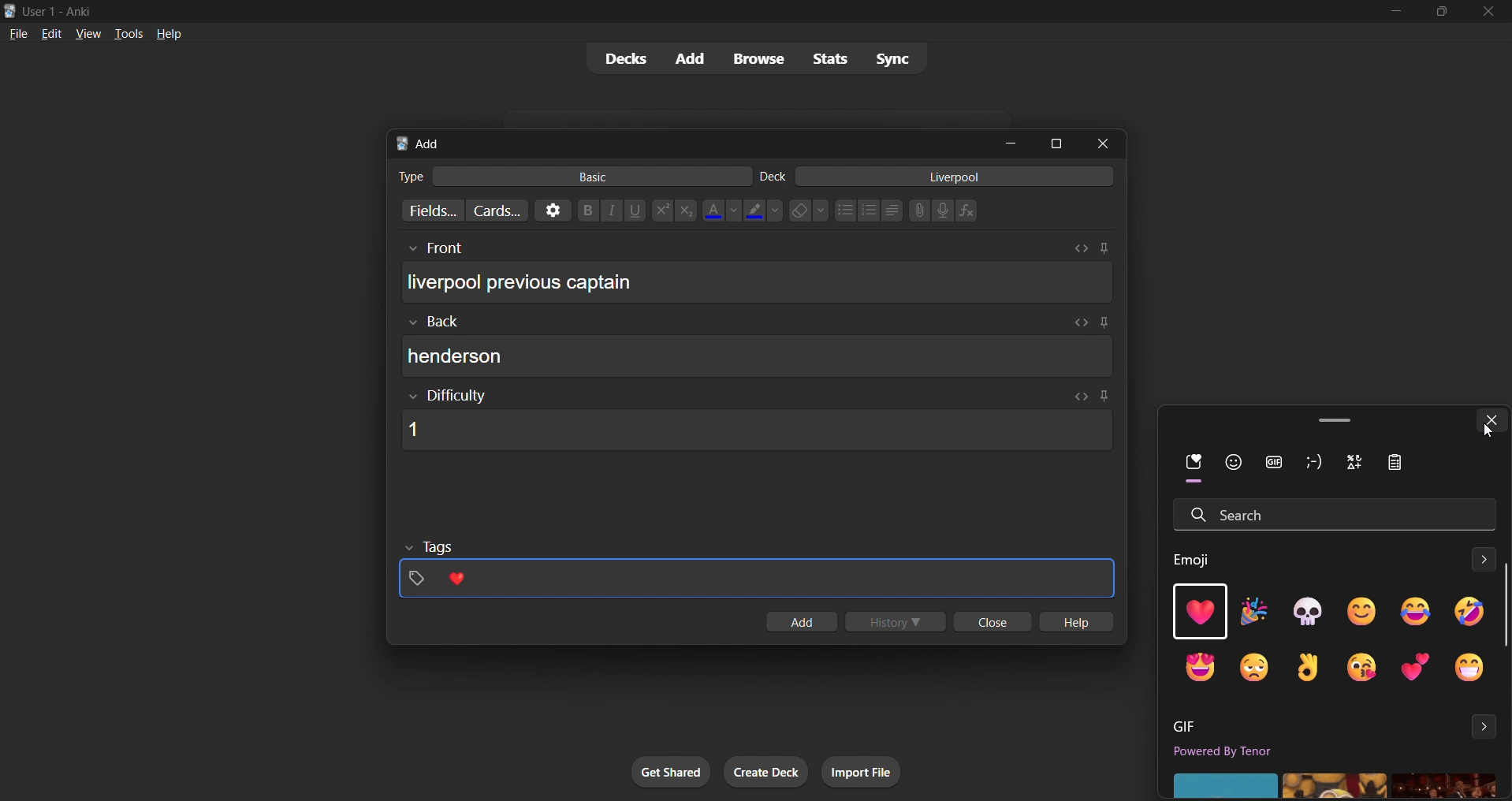 This screenshot has height=801, width=1512. Describe the element at coordinates (171, 32) in the screenshot. I see `help` at that location.